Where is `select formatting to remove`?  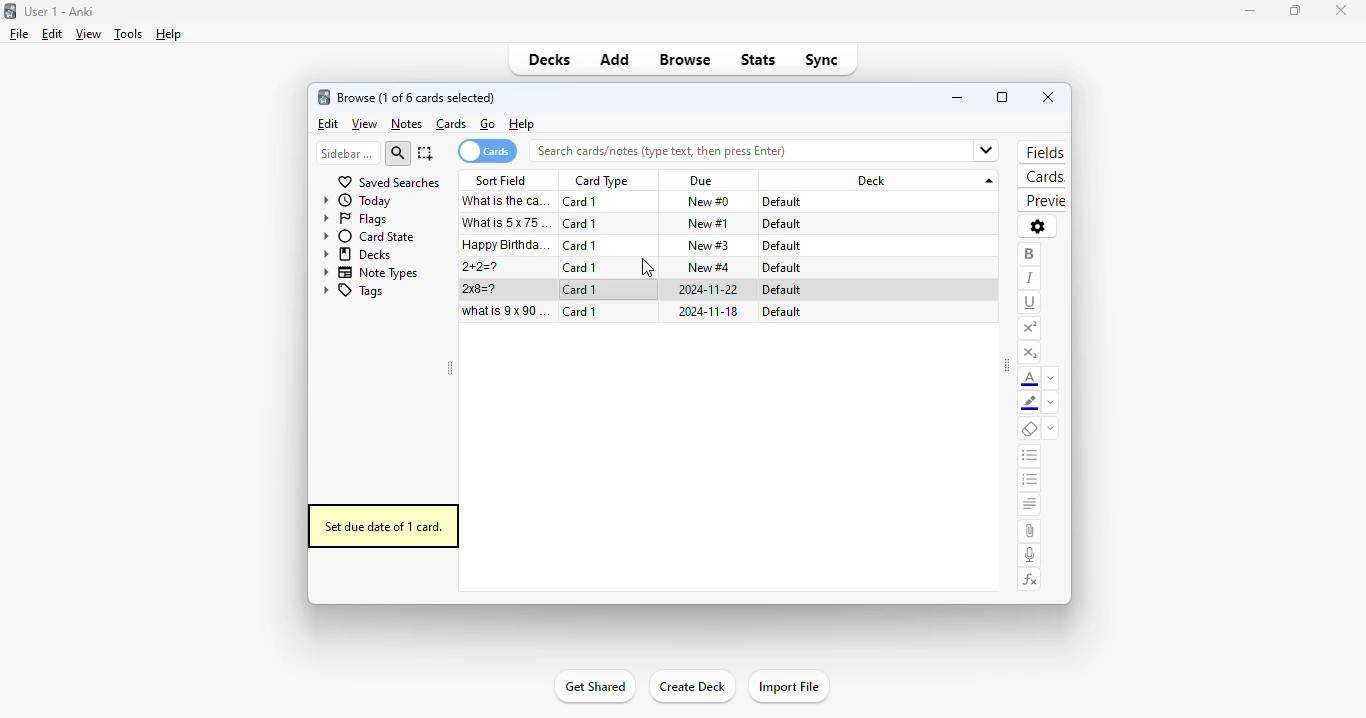 select formatting to remove is located at coordinates (1051, 430).